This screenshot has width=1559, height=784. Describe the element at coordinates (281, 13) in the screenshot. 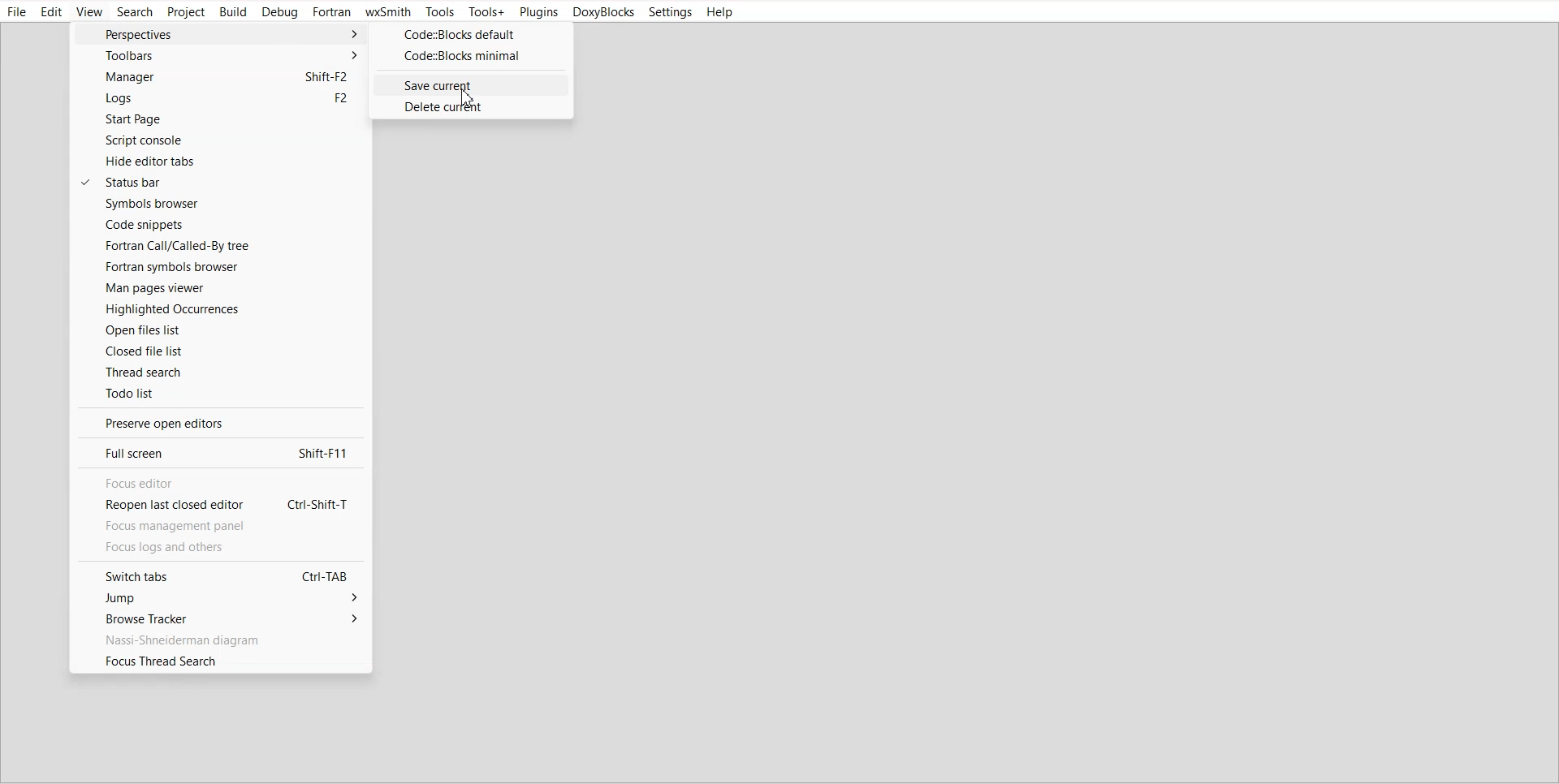

I see `Debug` at that location.